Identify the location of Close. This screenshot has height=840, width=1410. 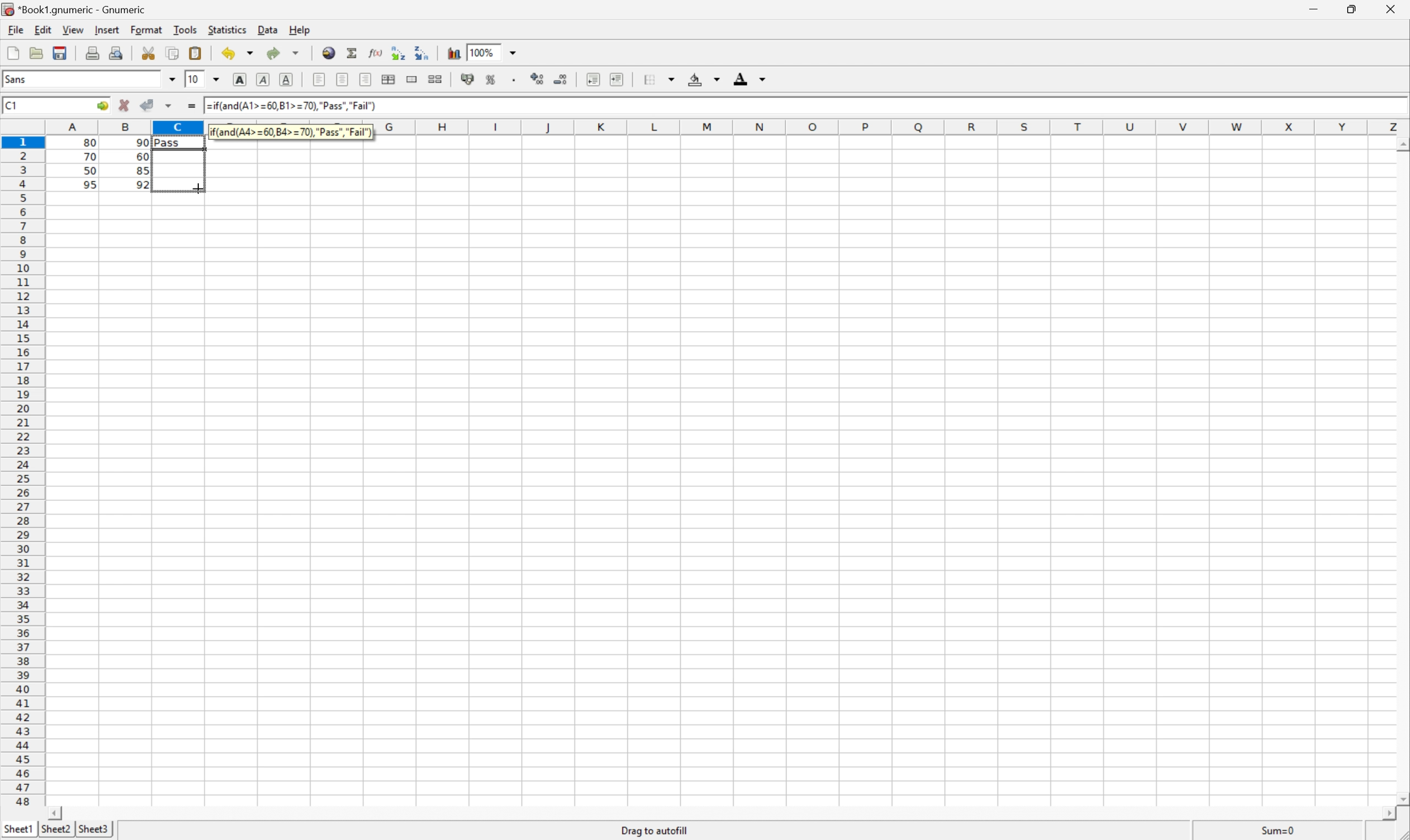
(1392, 8).